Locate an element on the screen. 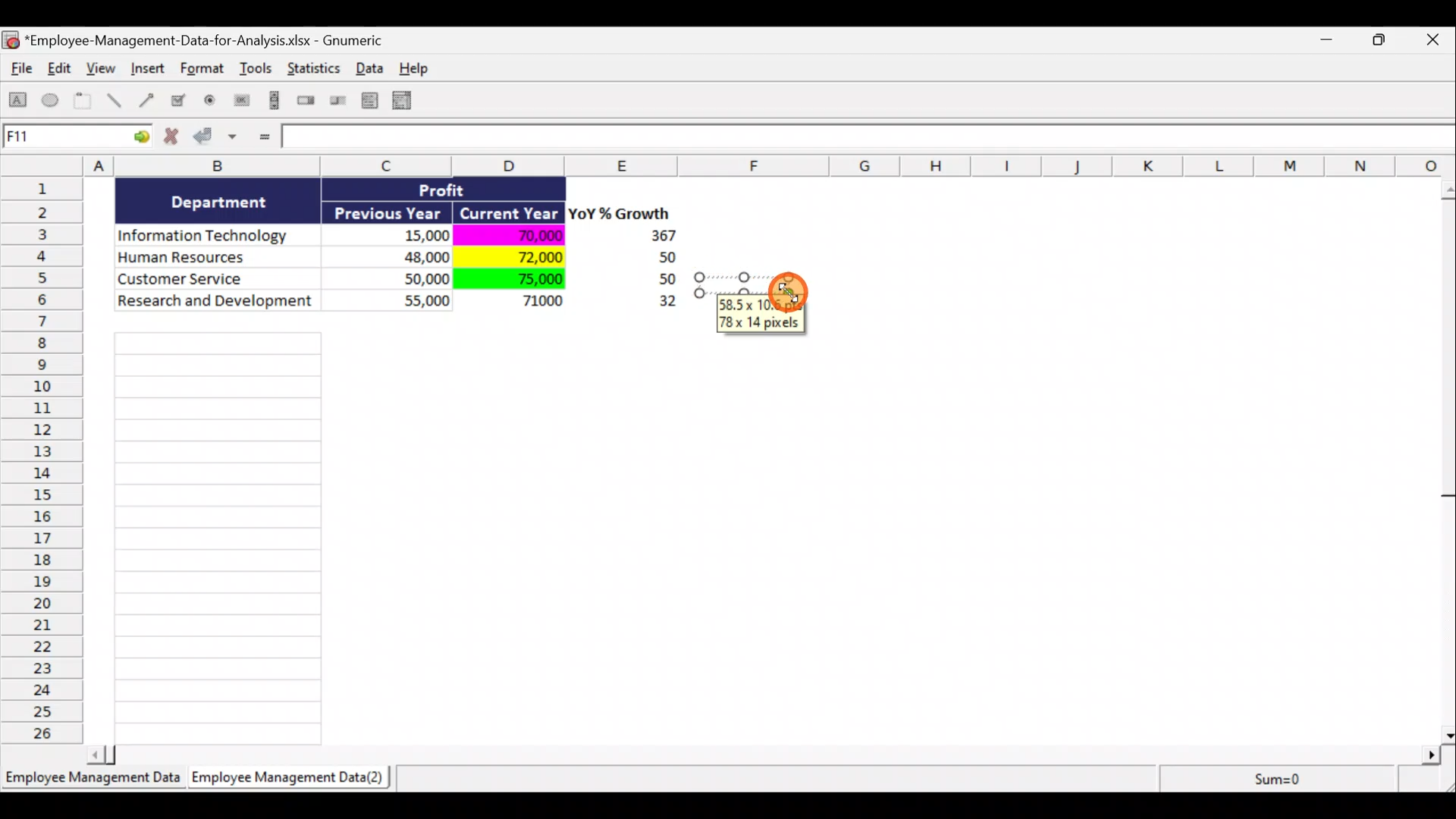 The width and height of the screenshot is (1456, 819). Minimise is located at coordinates (1330, 42).